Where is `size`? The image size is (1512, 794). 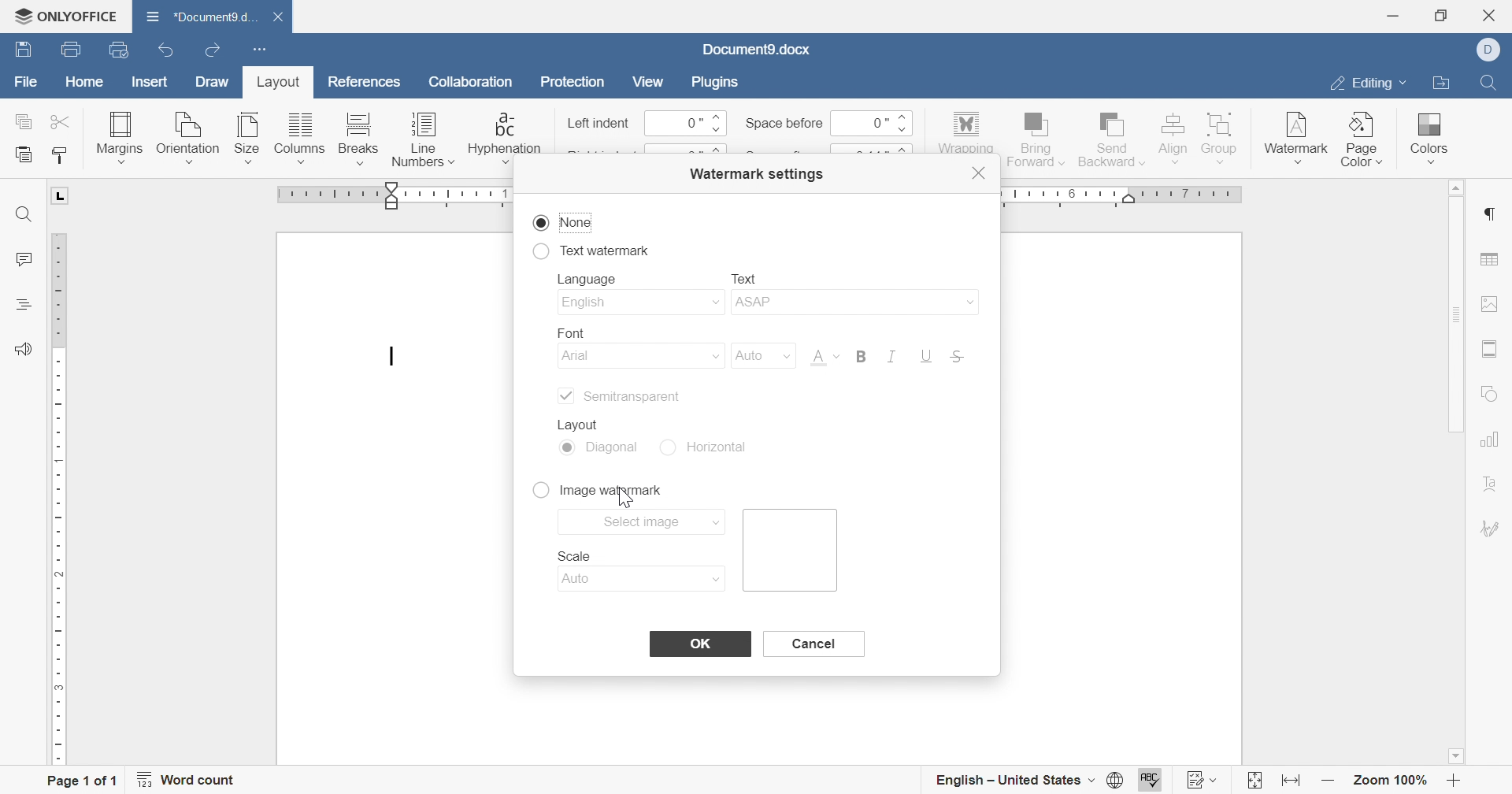
size is located at coordinates (246, 138).